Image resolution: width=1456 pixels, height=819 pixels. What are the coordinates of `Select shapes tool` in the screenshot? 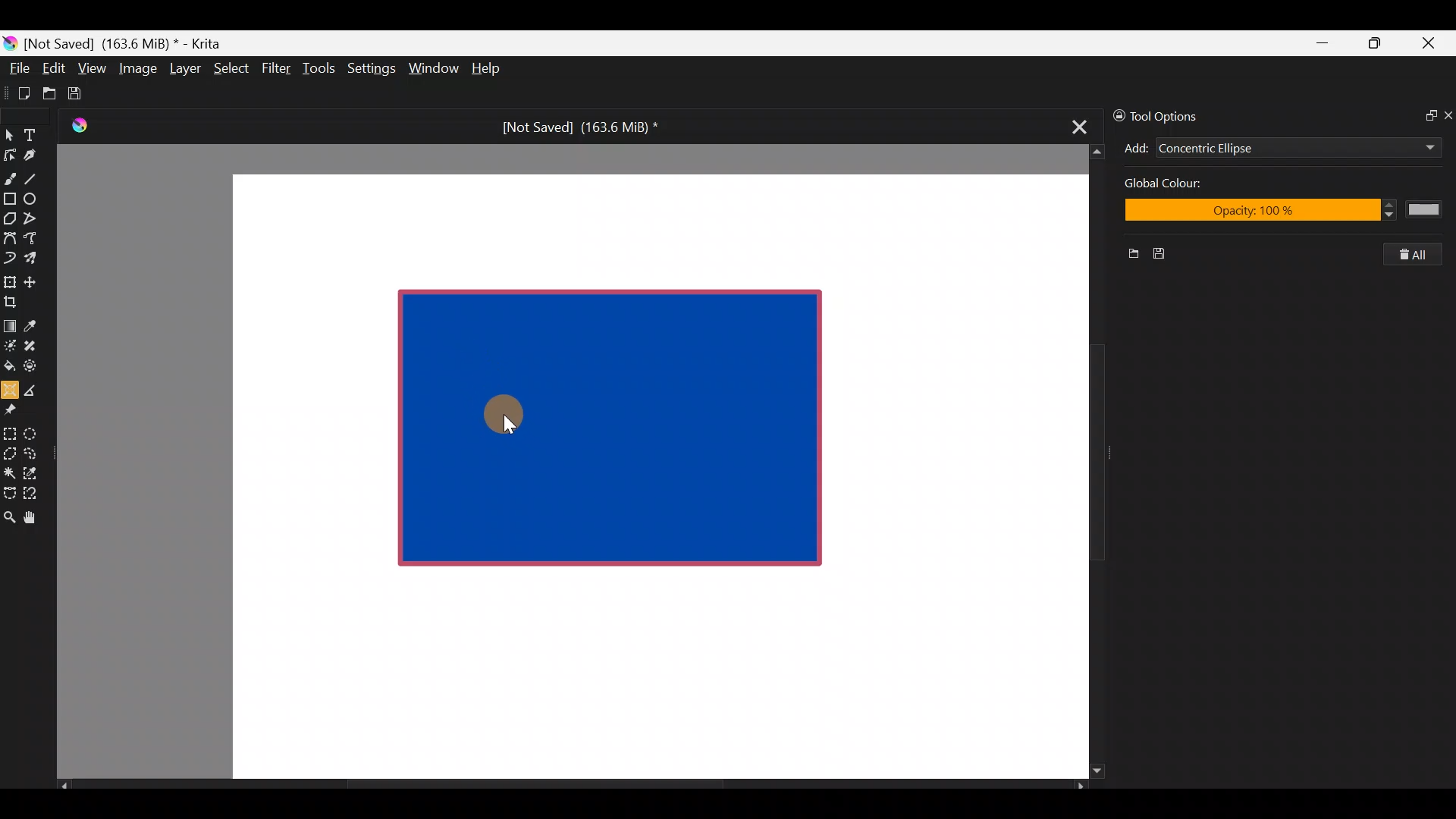 It's located at (9, 136).